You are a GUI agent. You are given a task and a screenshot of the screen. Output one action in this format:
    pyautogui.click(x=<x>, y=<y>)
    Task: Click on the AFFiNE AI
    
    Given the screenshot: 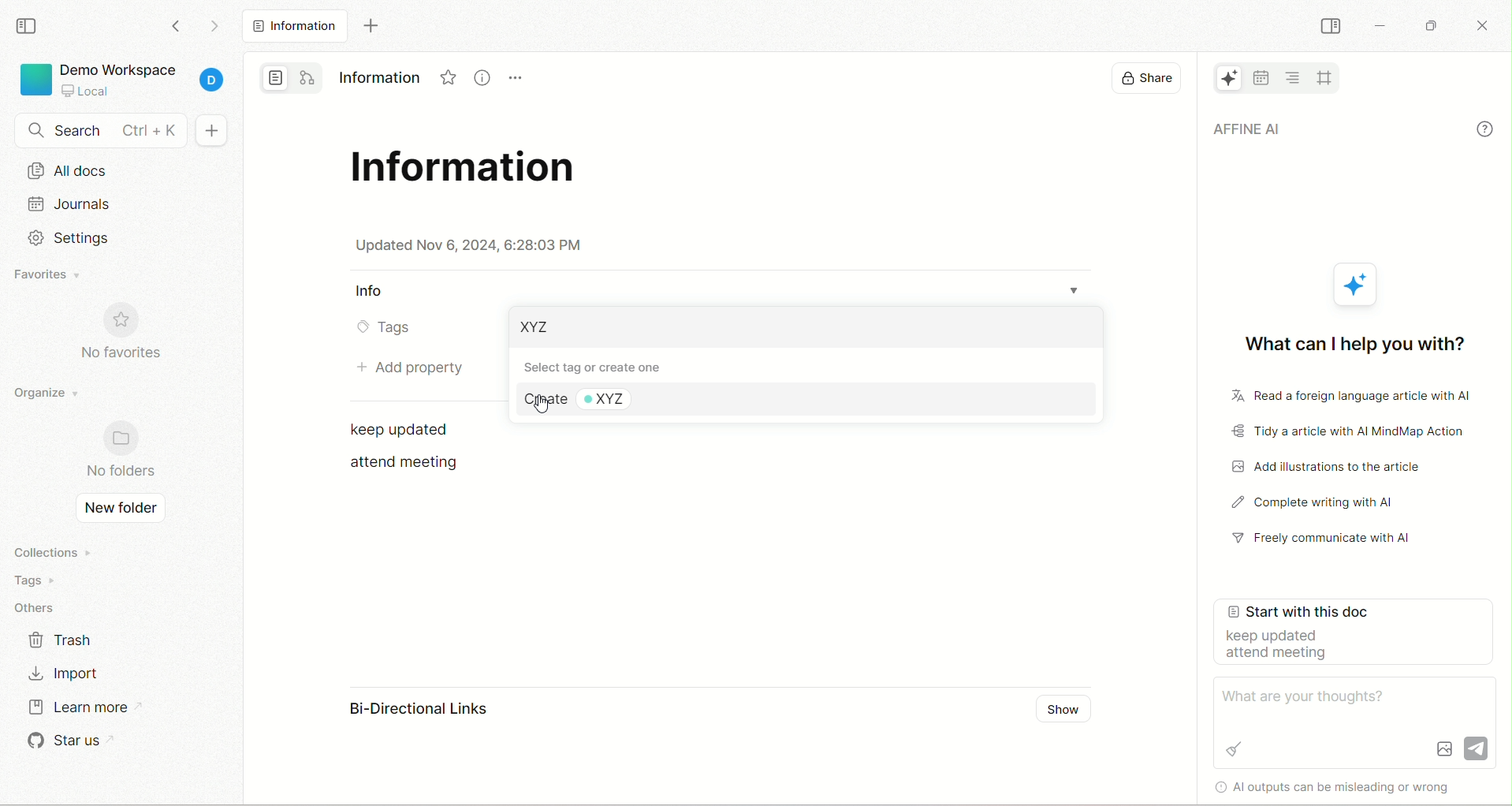 What is the action you would take?
    pyautogui.click(x=1329, y=130)
    